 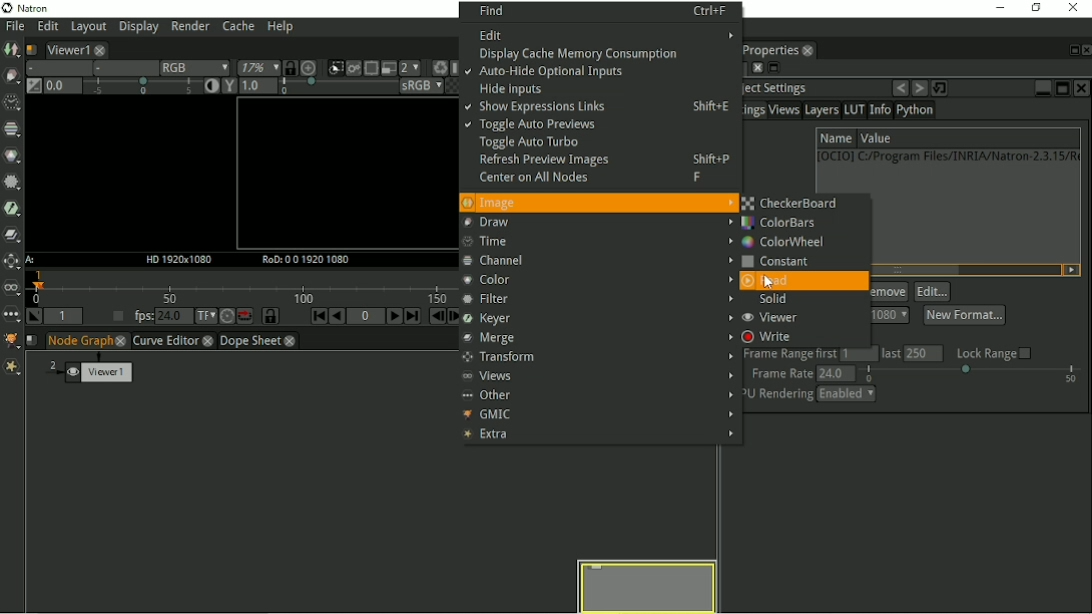 What do you see at coordinates (12, 207) in the screenshot?
I see `Keyer` at bounding box center [12, 207].